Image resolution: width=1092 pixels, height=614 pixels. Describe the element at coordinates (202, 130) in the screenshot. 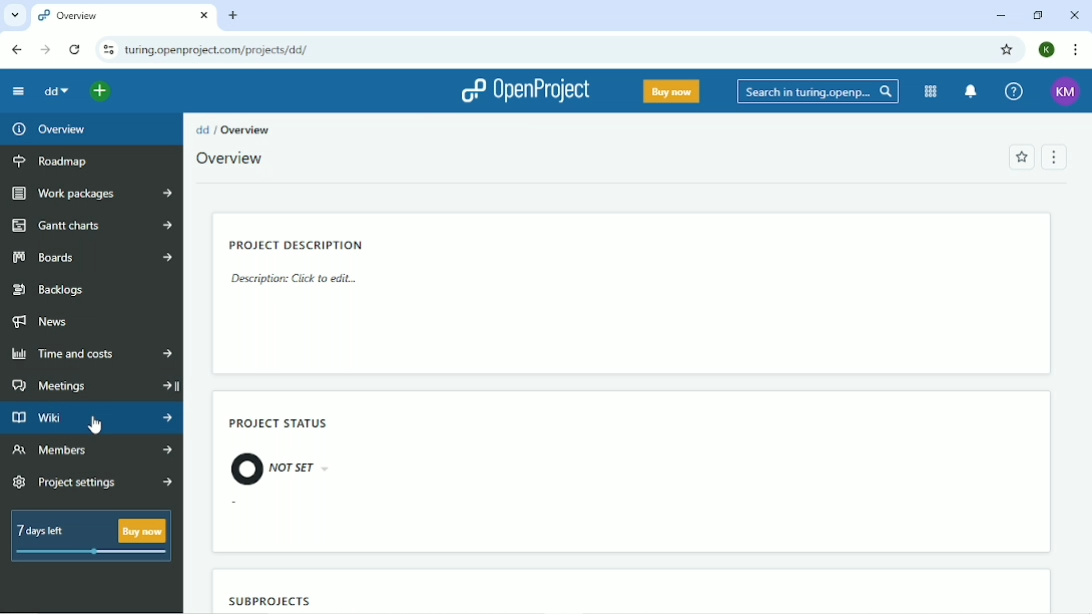

I see `dd` at that location.